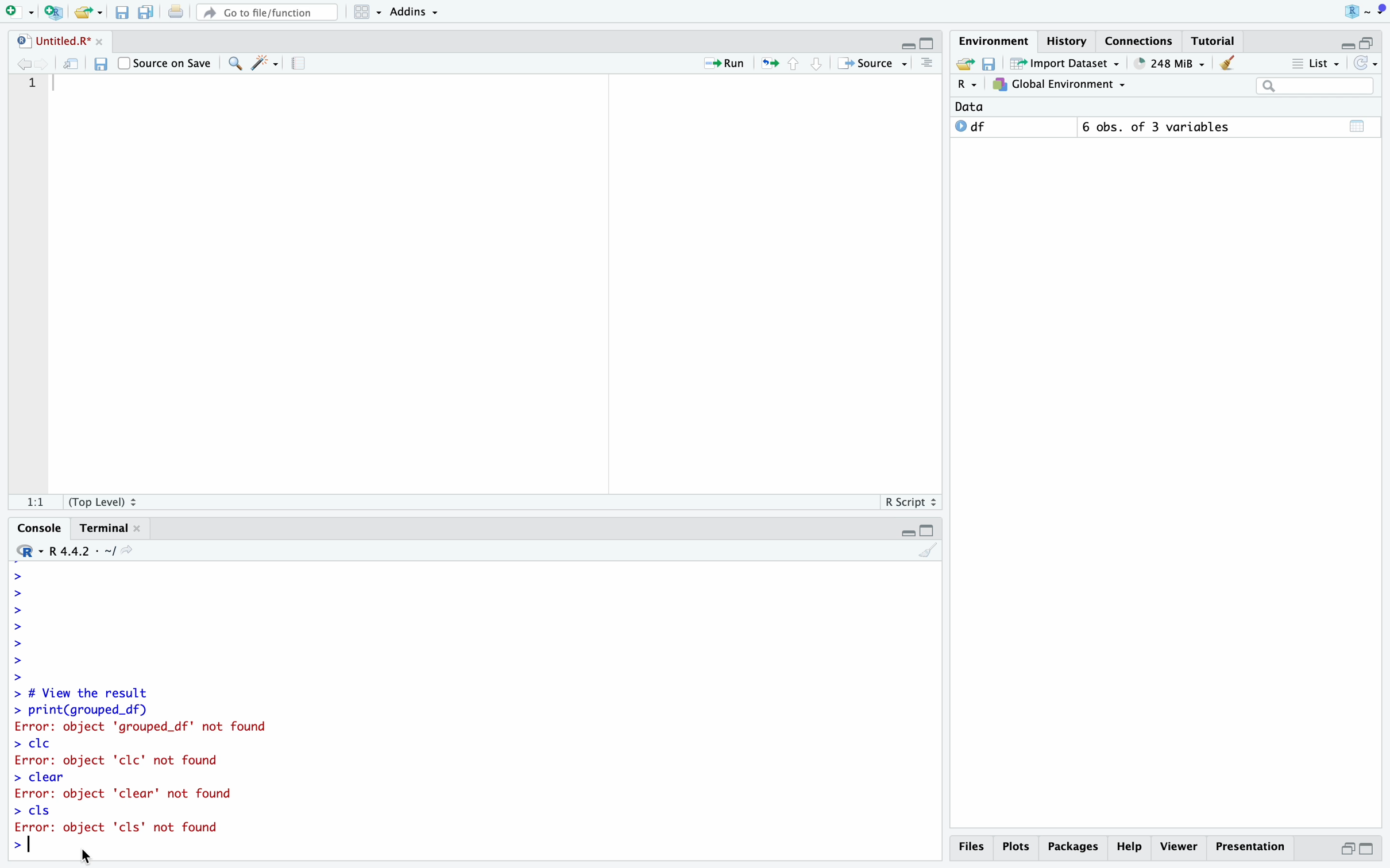  I want to click on Addins, so click(414, 11).